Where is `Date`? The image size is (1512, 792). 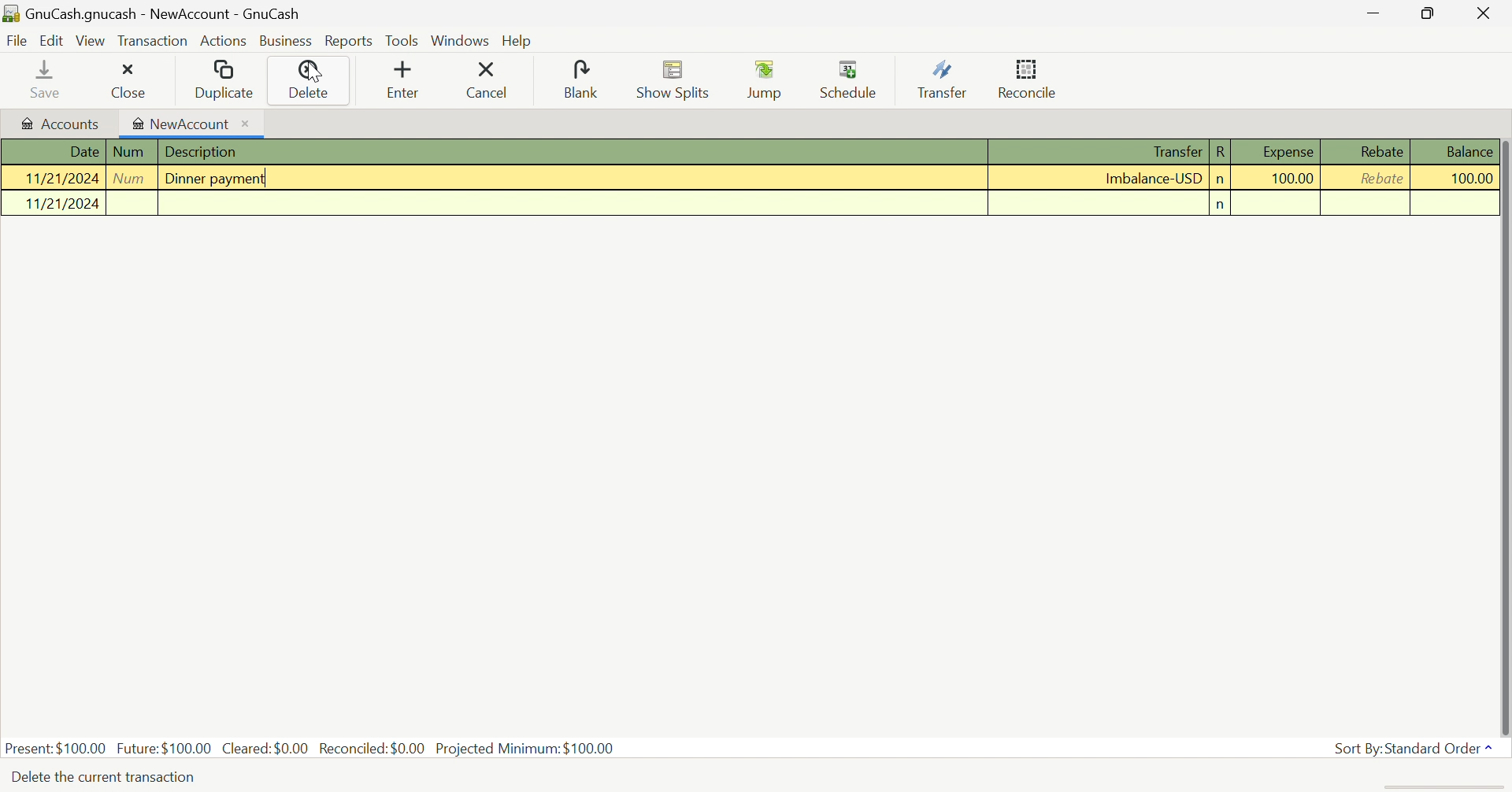 Date is located at coordinates (84, 152).